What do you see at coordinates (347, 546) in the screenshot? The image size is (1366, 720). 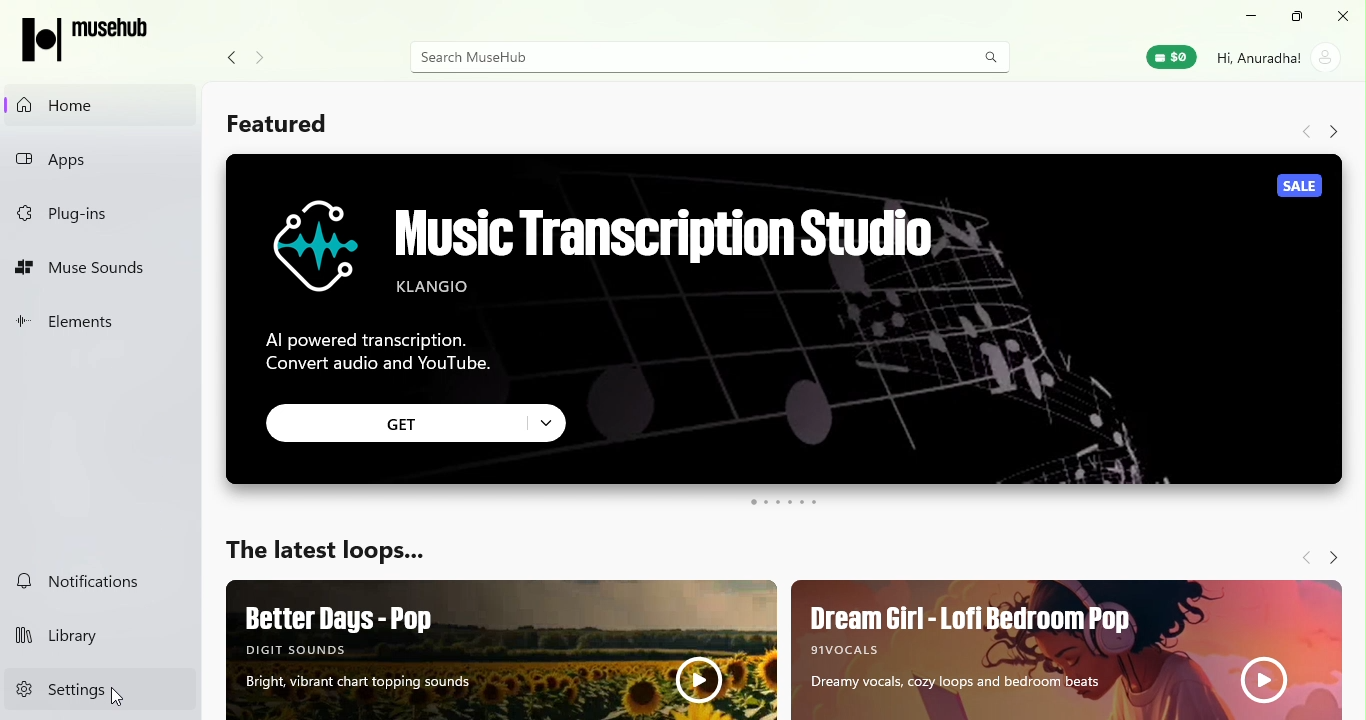 I see `The latest loops...` at bounding box center [347, 546].